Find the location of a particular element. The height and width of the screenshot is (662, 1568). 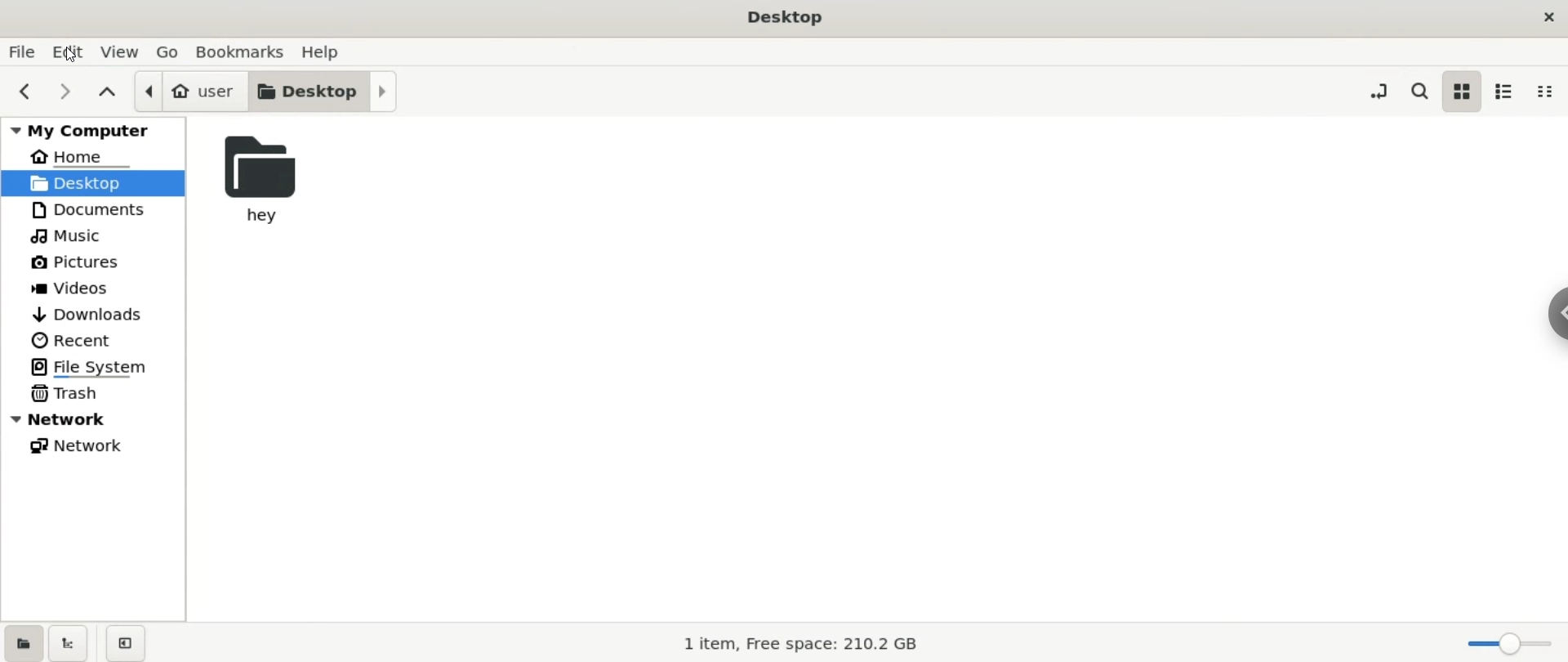

network is located at coordinates (84, 446).